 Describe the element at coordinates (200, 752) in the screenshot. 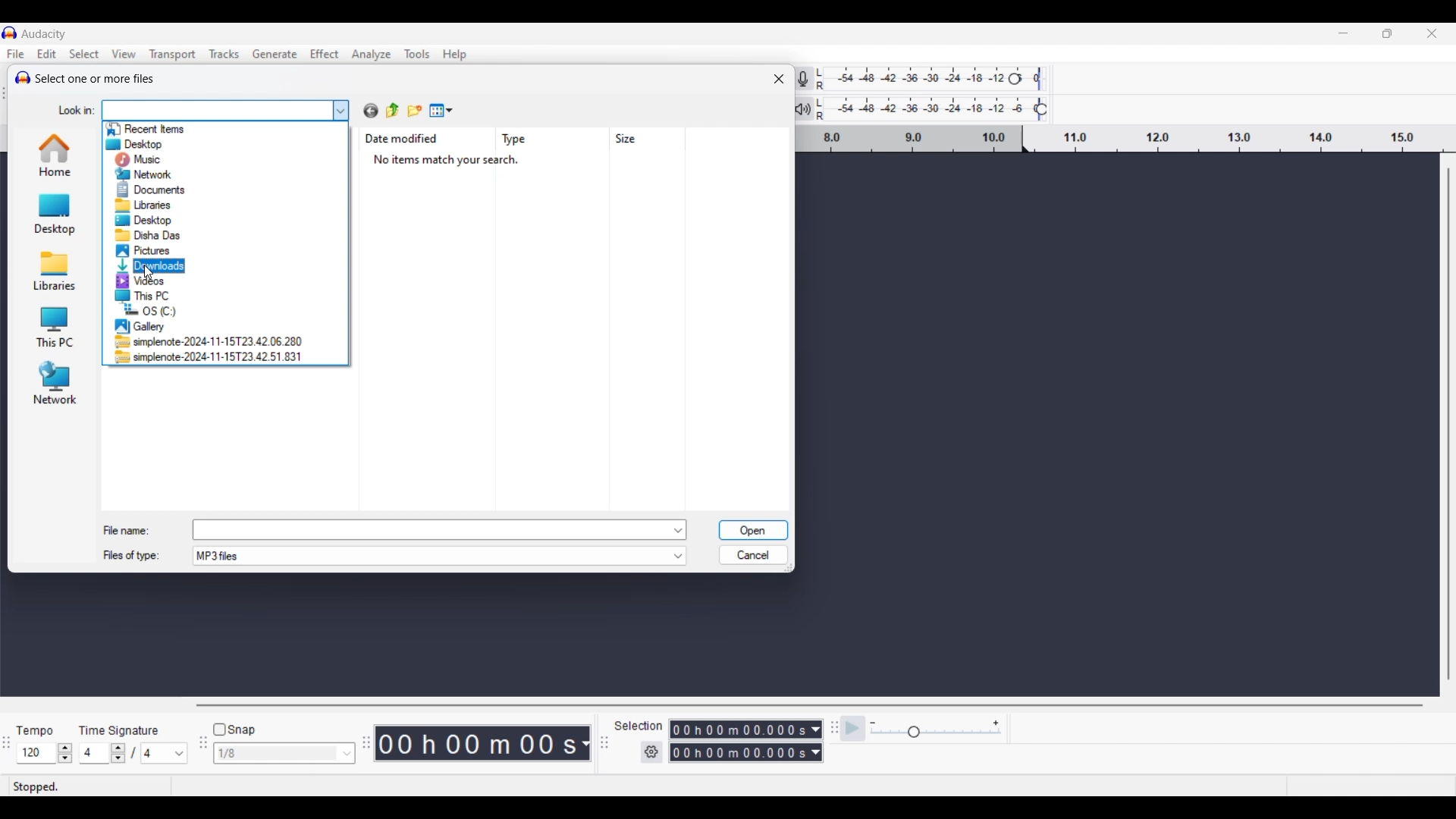

I see `snapping toolbar` at that location.